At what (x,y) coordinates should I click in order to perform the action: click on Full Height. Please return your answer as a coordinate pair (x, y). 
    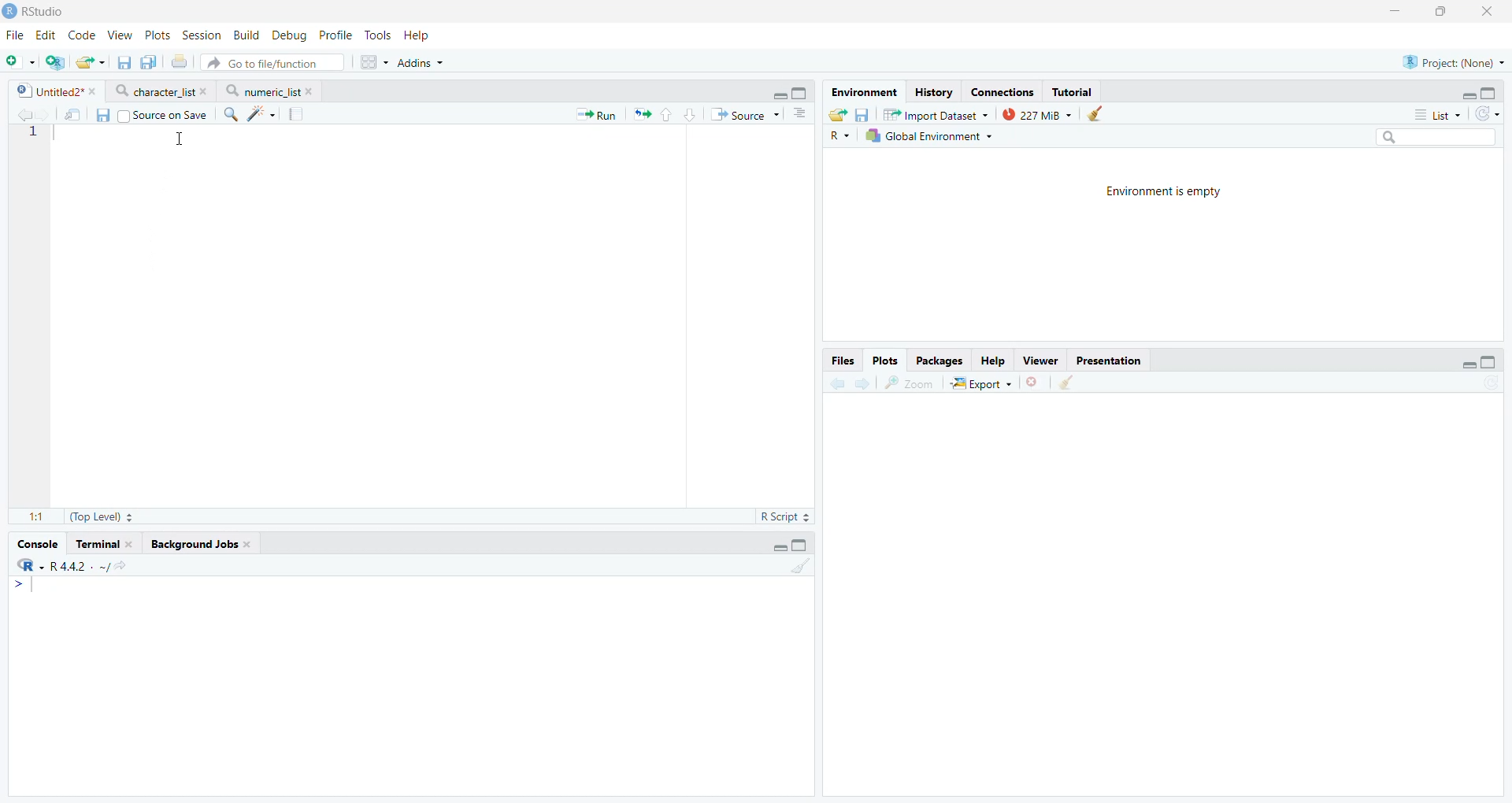
    Looking at the image, I should click on (1490, 91).